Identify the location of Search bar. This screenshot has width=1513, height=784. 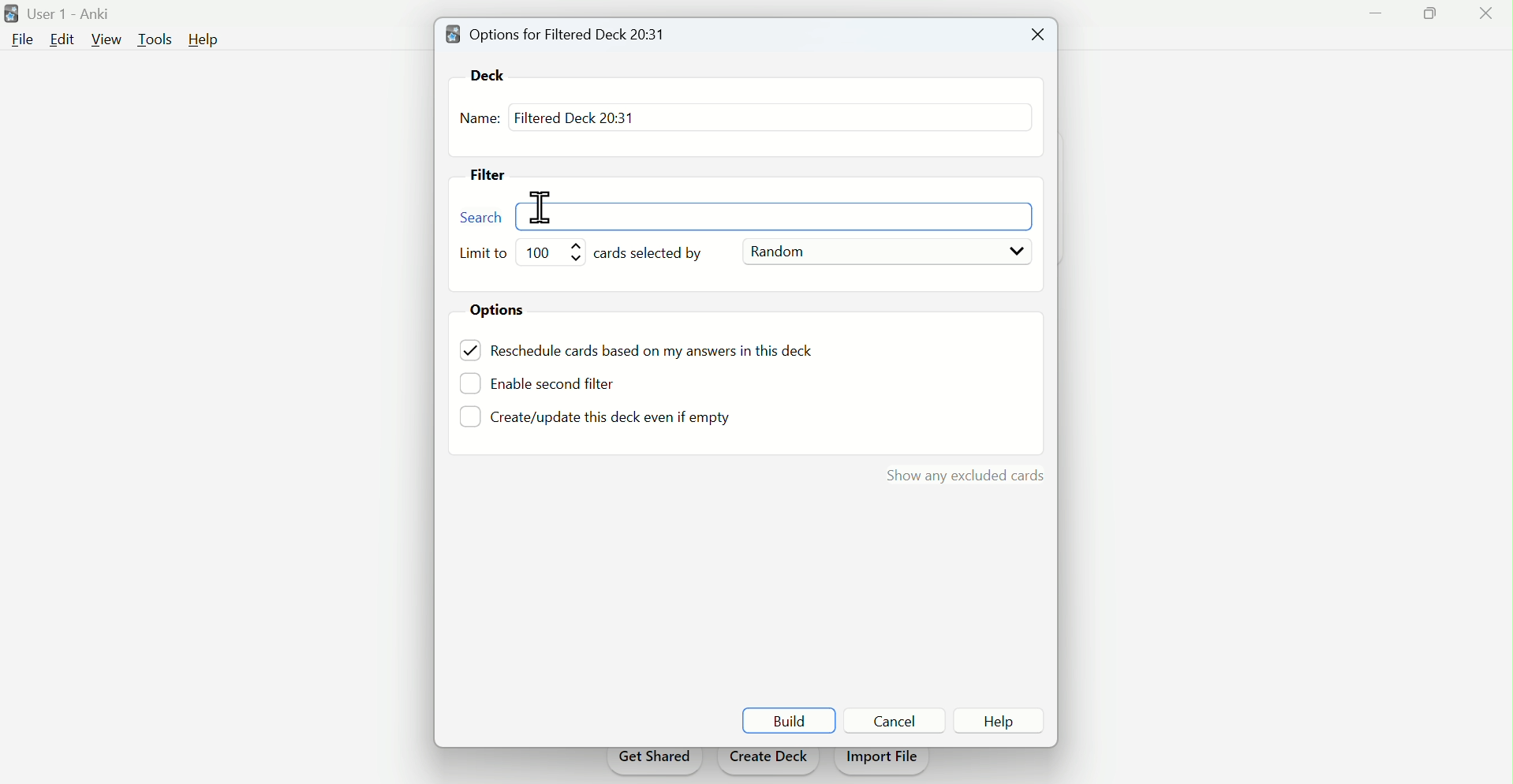
(756, 216).